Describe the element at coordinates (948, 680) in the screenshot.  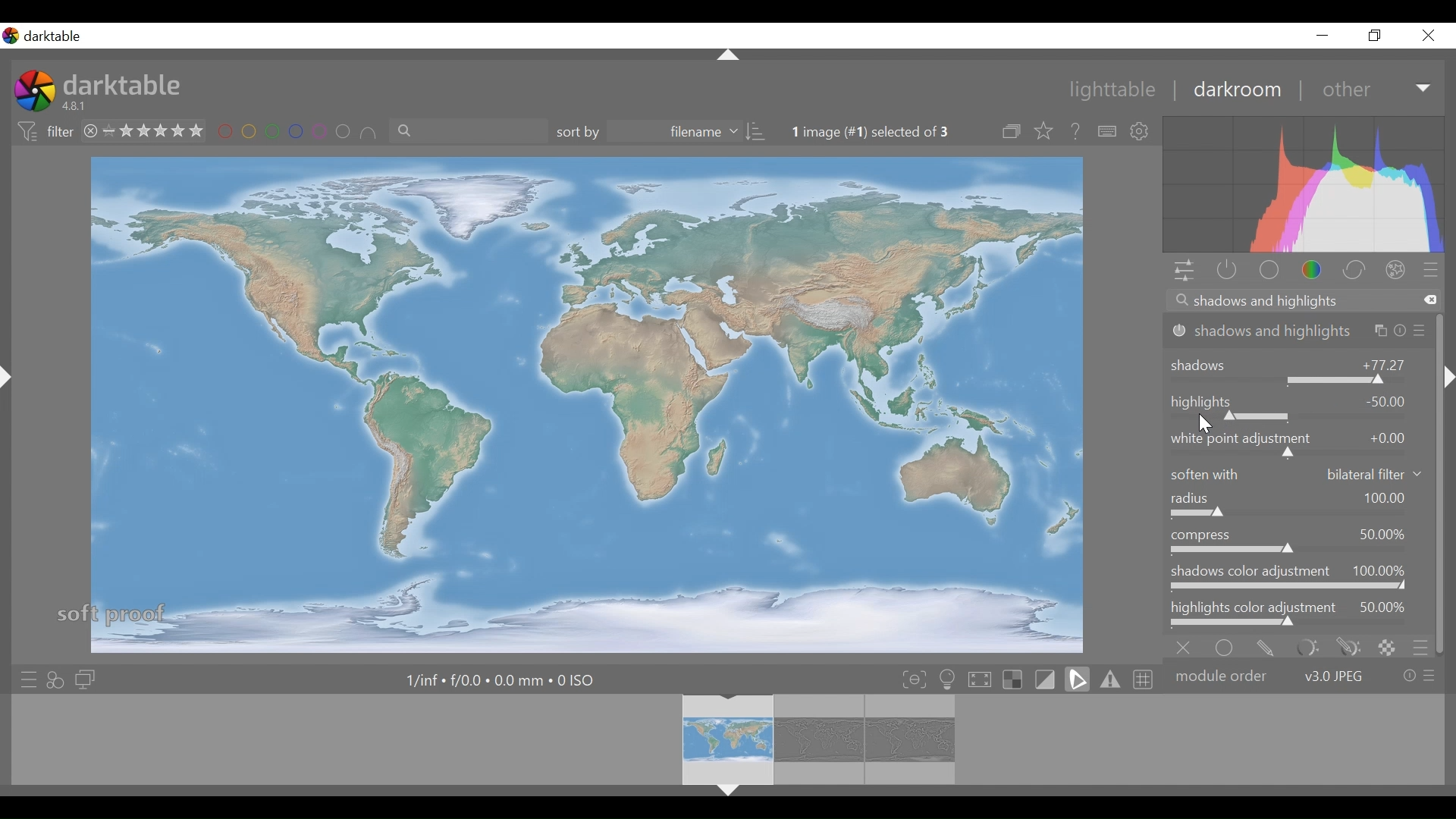
I see `toggle IS 12646 color assessments conditions` at that location.